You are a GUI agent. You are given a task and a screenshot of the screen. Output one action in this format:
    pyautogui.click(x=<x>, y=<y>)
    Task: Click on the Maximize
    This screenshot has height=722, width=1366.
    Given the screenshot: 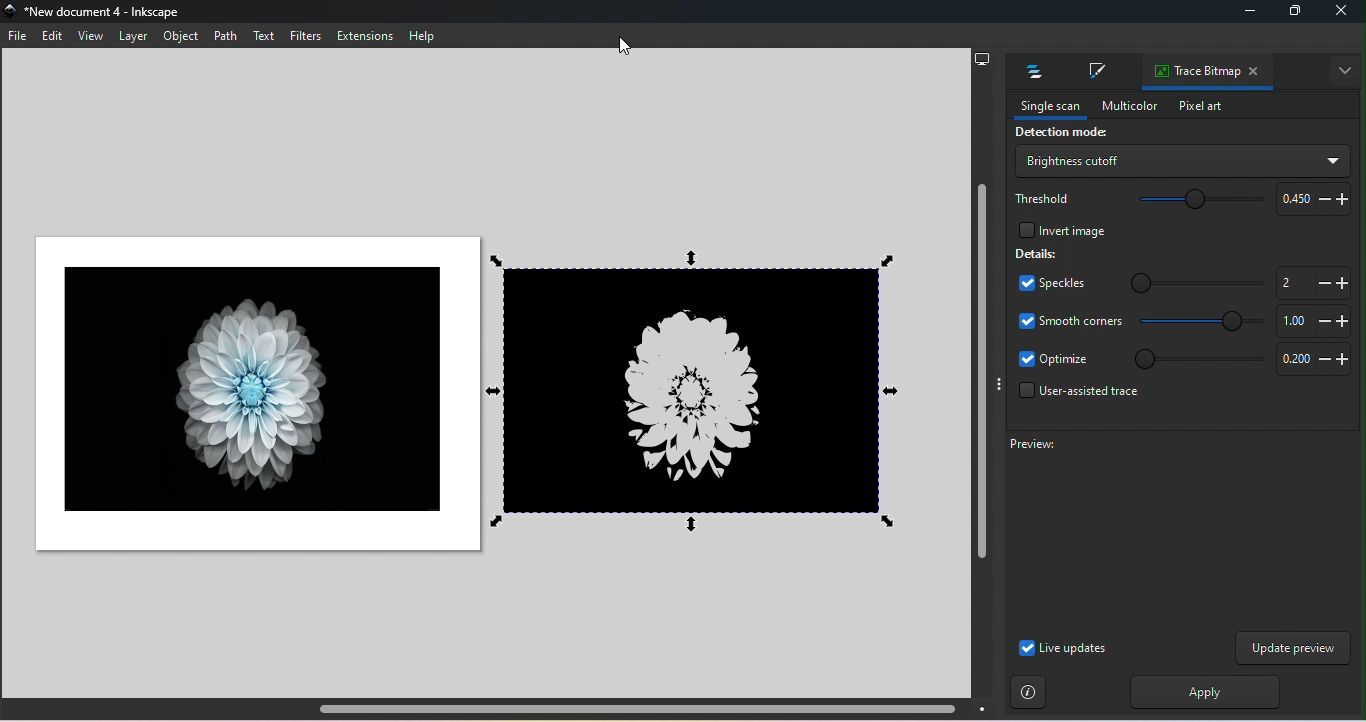 What is the action you would take?
    pyautogui.click(x=1292, y=14)
    